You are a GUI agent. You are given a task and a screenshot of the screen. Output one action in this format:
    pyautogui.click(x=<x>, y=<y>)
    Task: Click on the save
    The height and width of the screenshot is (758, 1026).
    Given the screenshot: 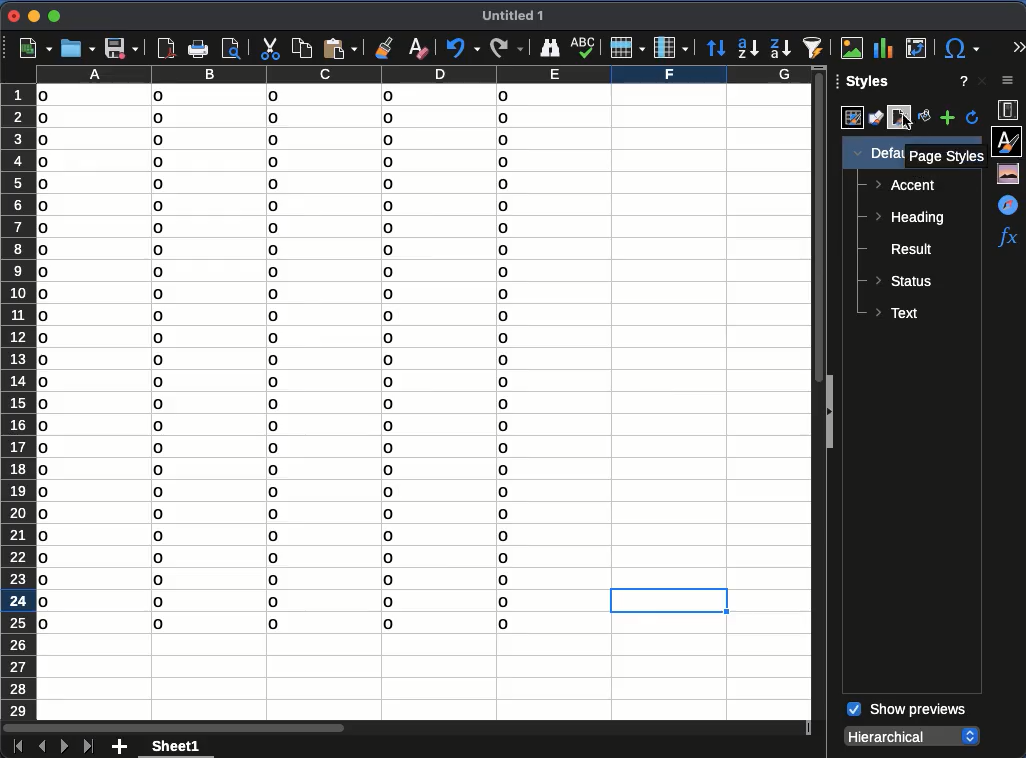 What is the action you would take?
    pyautogui.click(x=120, y=49)
    